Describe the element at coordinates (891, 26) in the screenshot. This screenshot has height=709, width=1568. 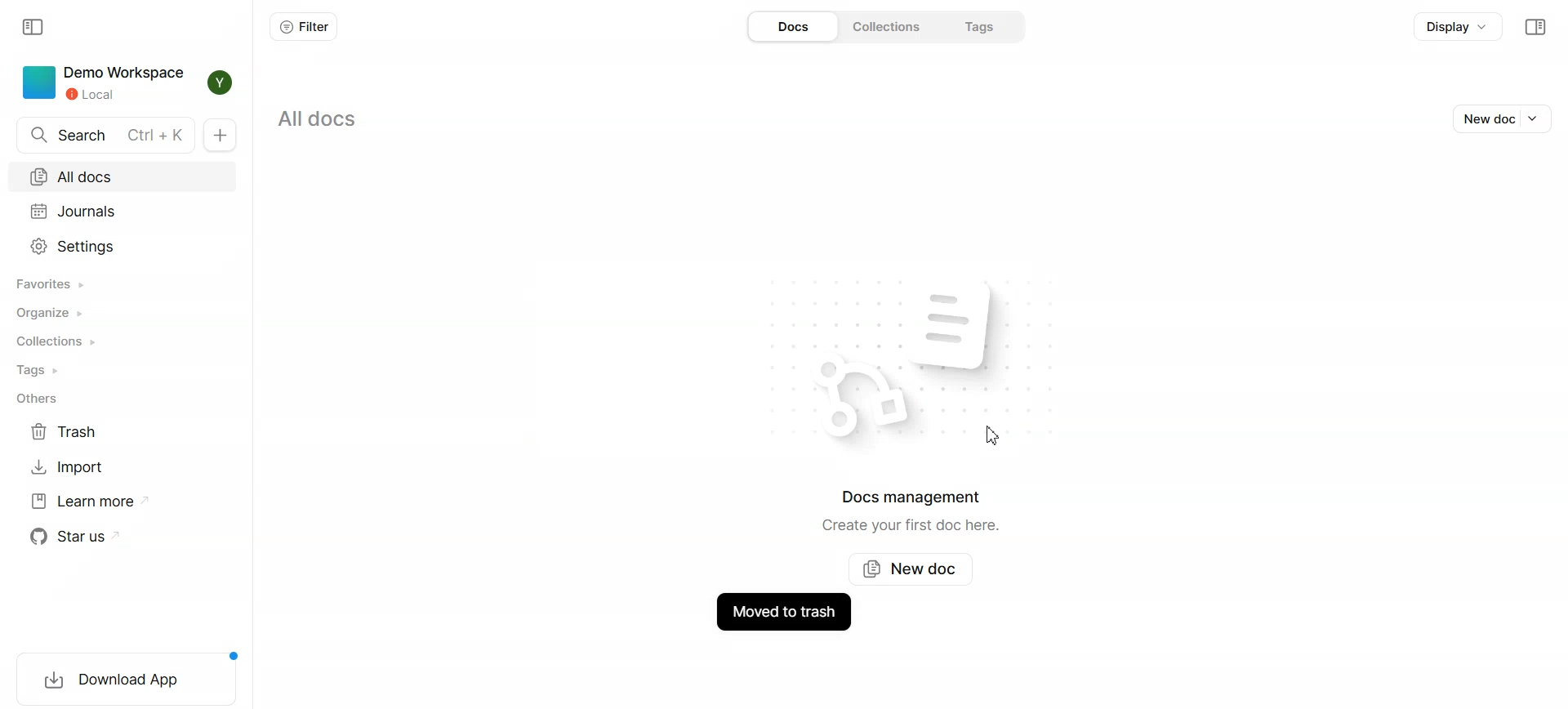
I see `Collections` at that location.